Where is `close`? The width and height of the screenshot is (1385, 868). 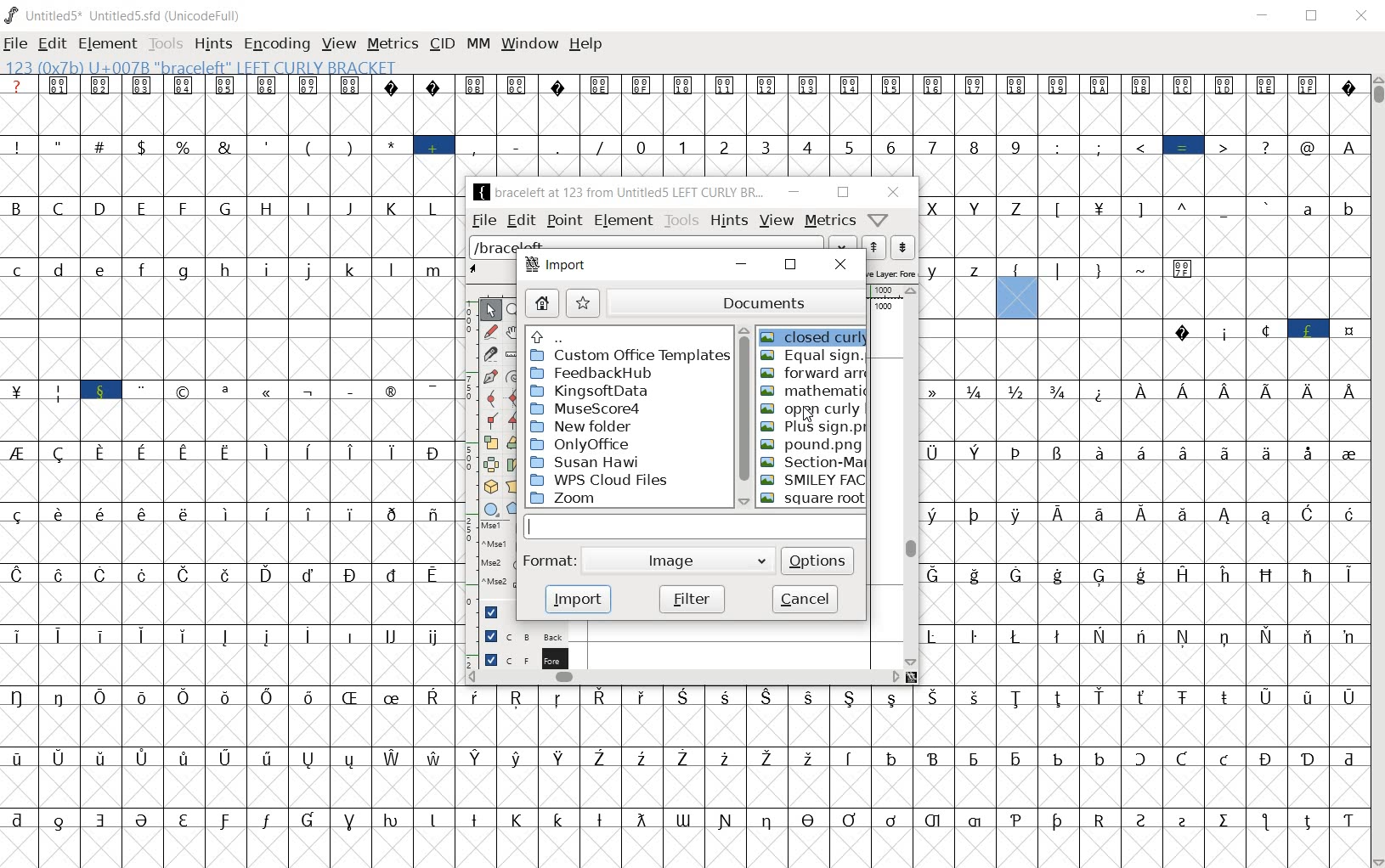 close is located at coordinates (1363, 13).